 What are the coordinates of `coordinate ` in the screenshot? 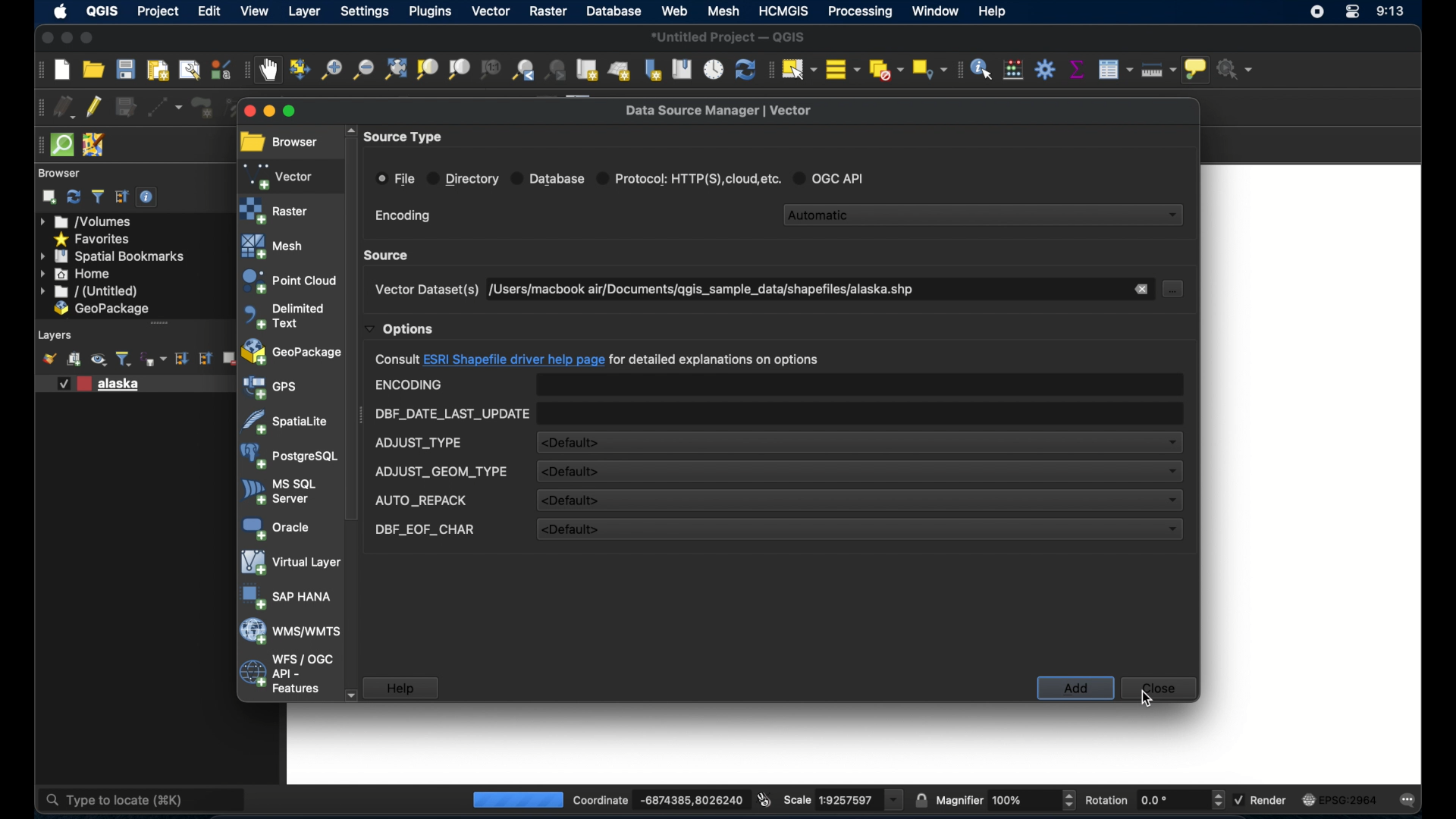 It's located at (644, 796).